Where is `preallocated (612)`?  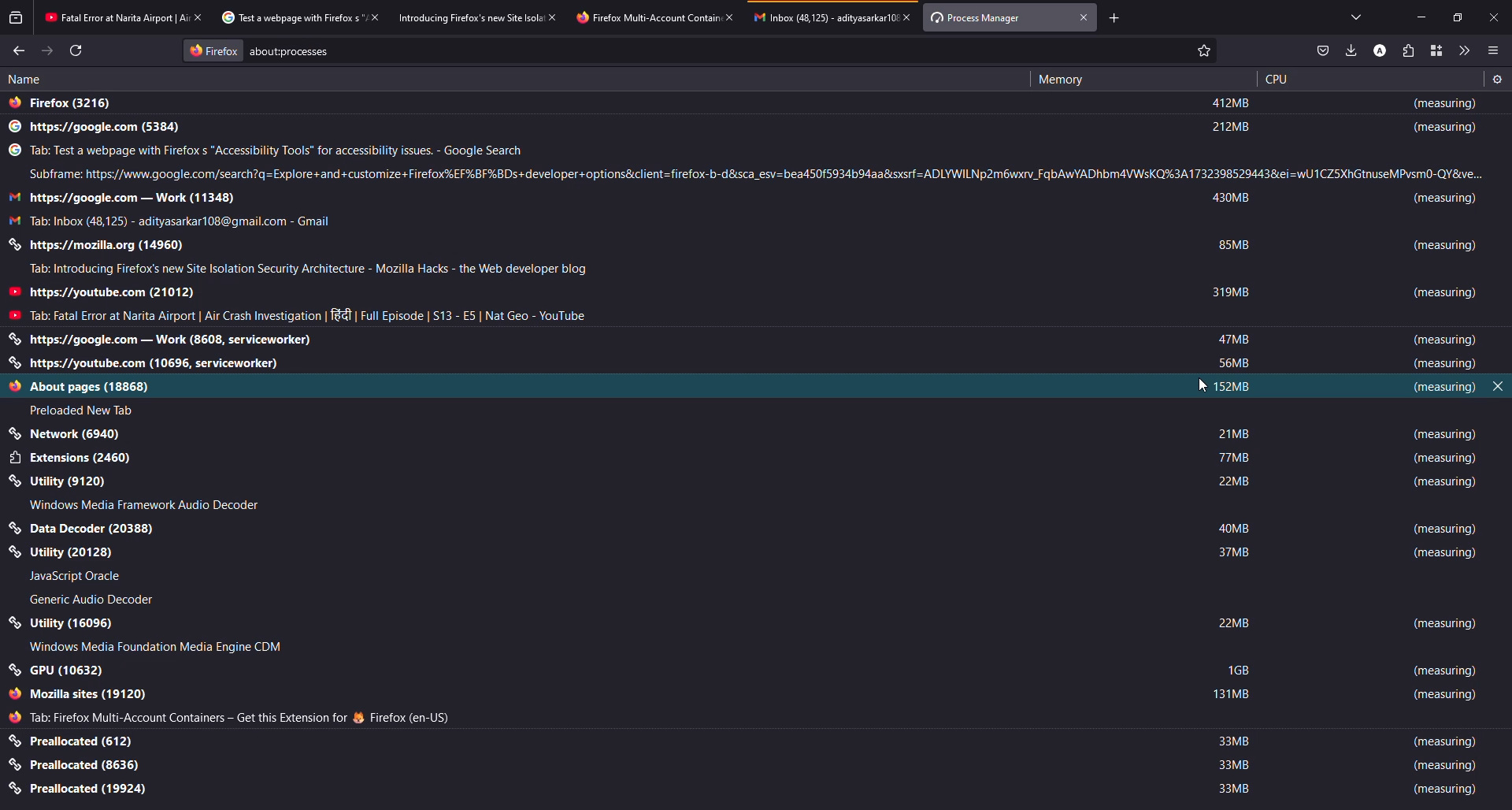 preallocated (612) is located at coordinates (72, 740).